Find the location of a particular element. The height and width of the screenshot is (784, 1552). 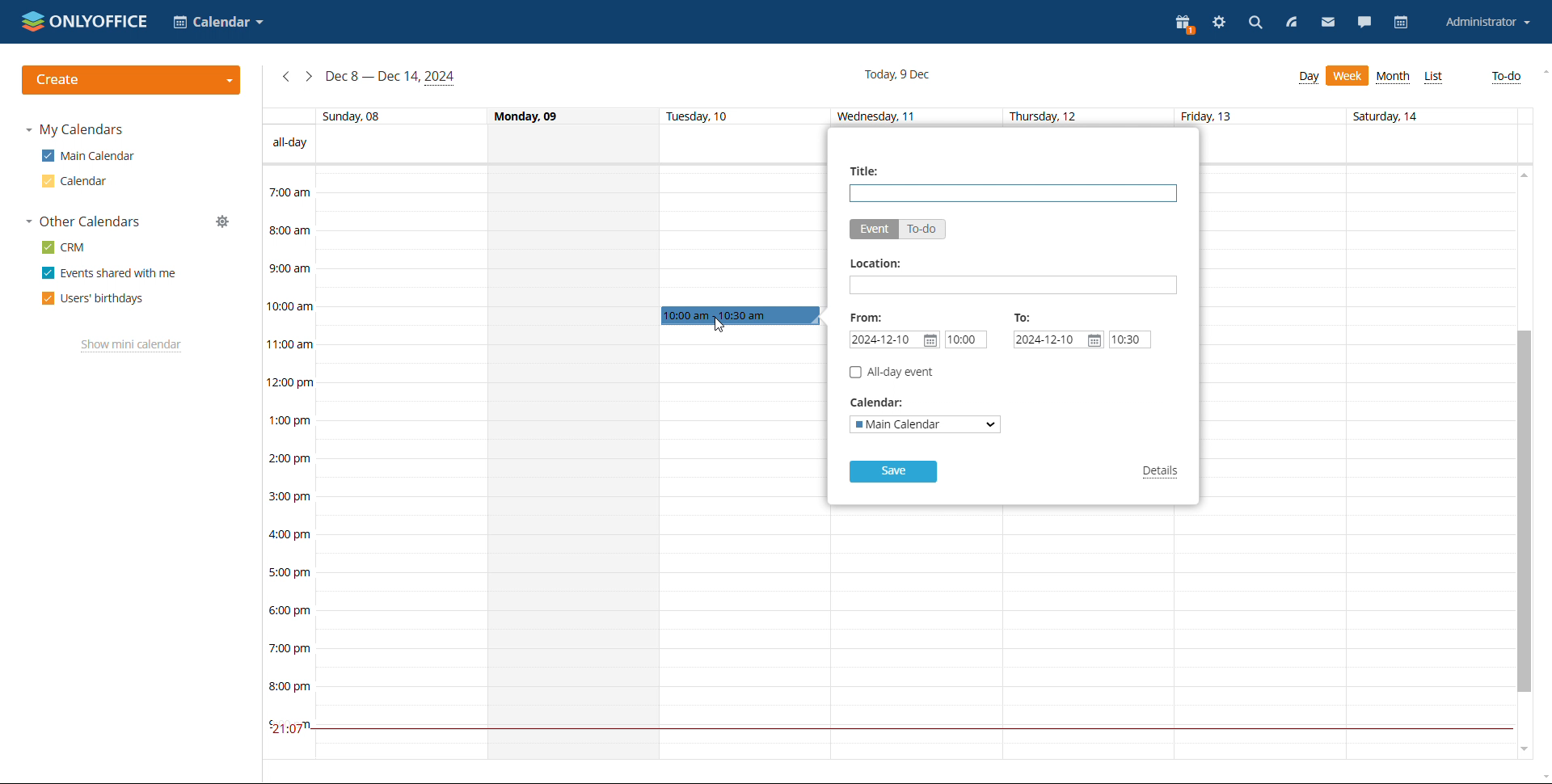

users' birthdays is located at coordinates (93, 298).